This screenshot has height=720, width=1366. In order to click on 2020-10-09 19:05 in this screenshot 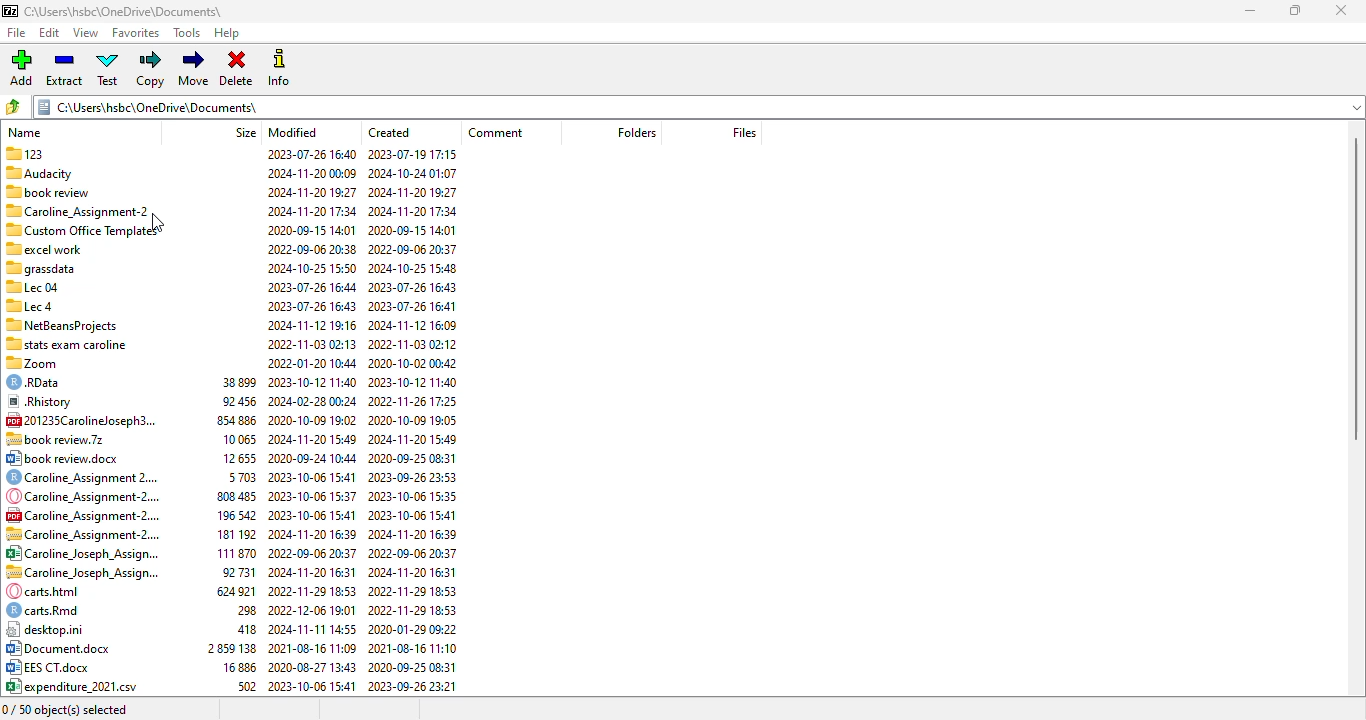, I will do `click(413, 420)`.